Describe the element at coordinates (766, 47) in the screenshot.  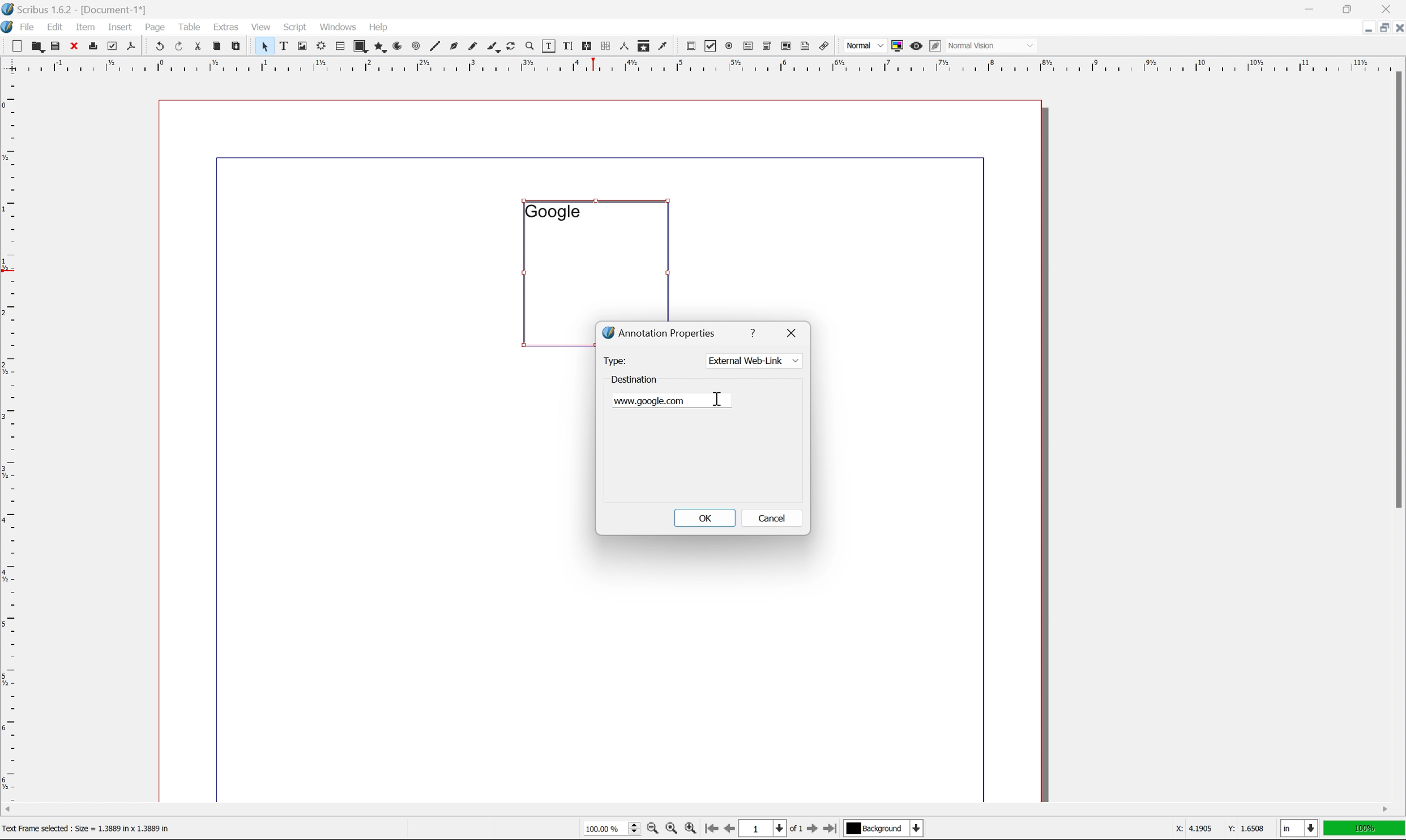
I see `pdf combo box` at that location.